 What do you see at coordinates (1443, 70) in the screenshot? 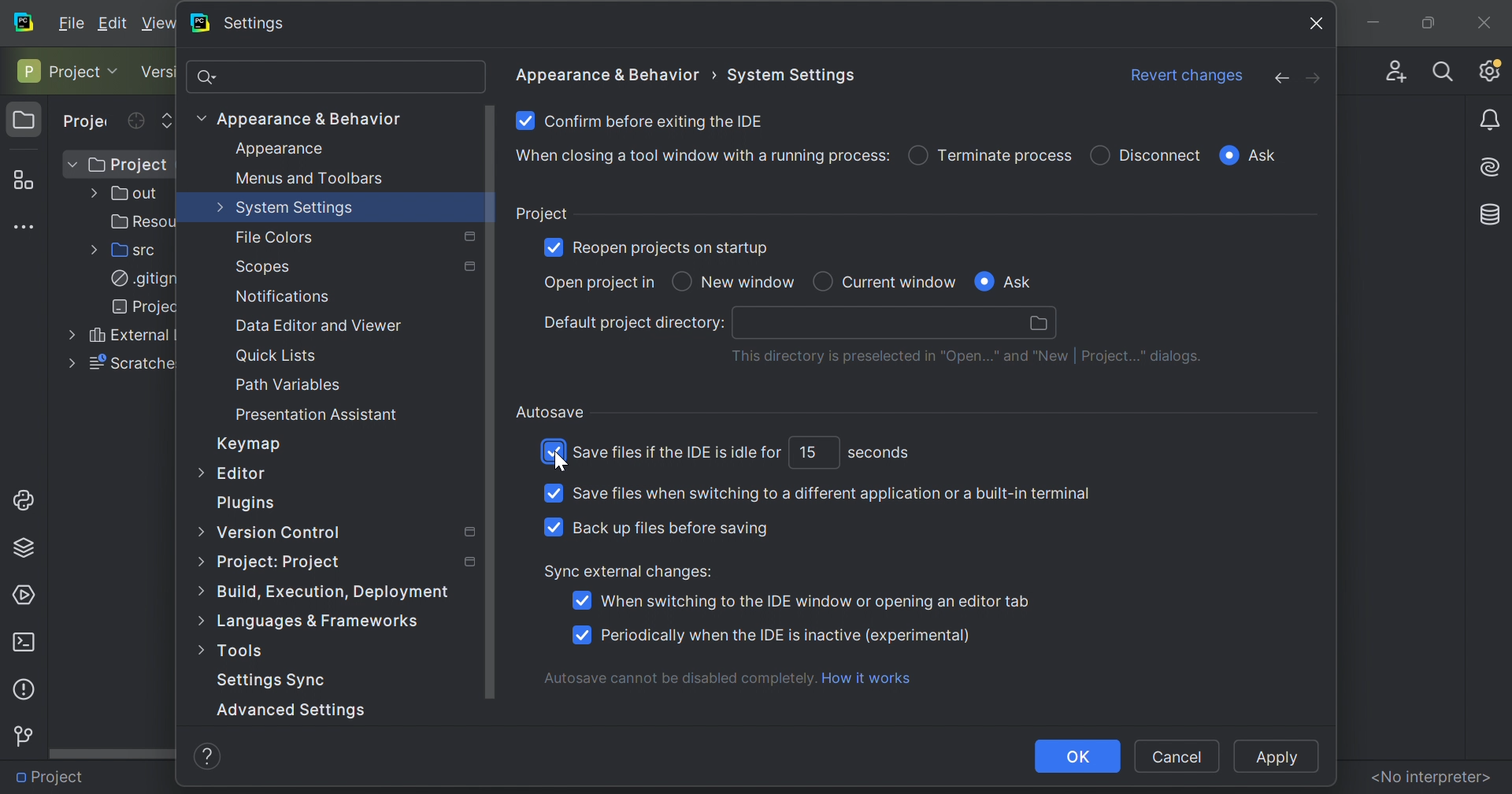
I see `Search Everywhere` at bounding box center [1443, 70].